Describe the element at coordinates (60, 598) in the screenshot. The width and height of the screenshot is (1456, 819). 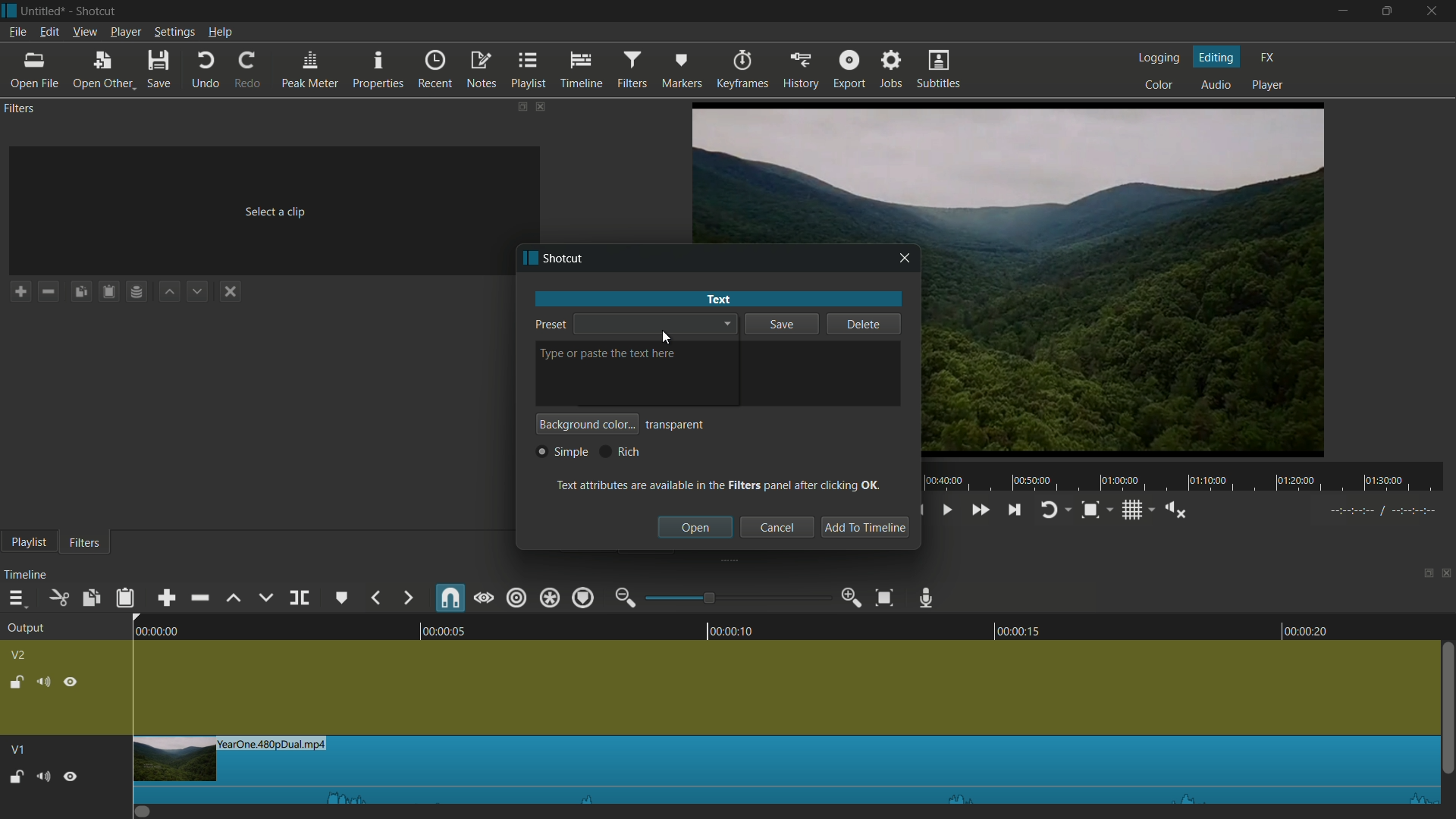
I see `cut` at that location.